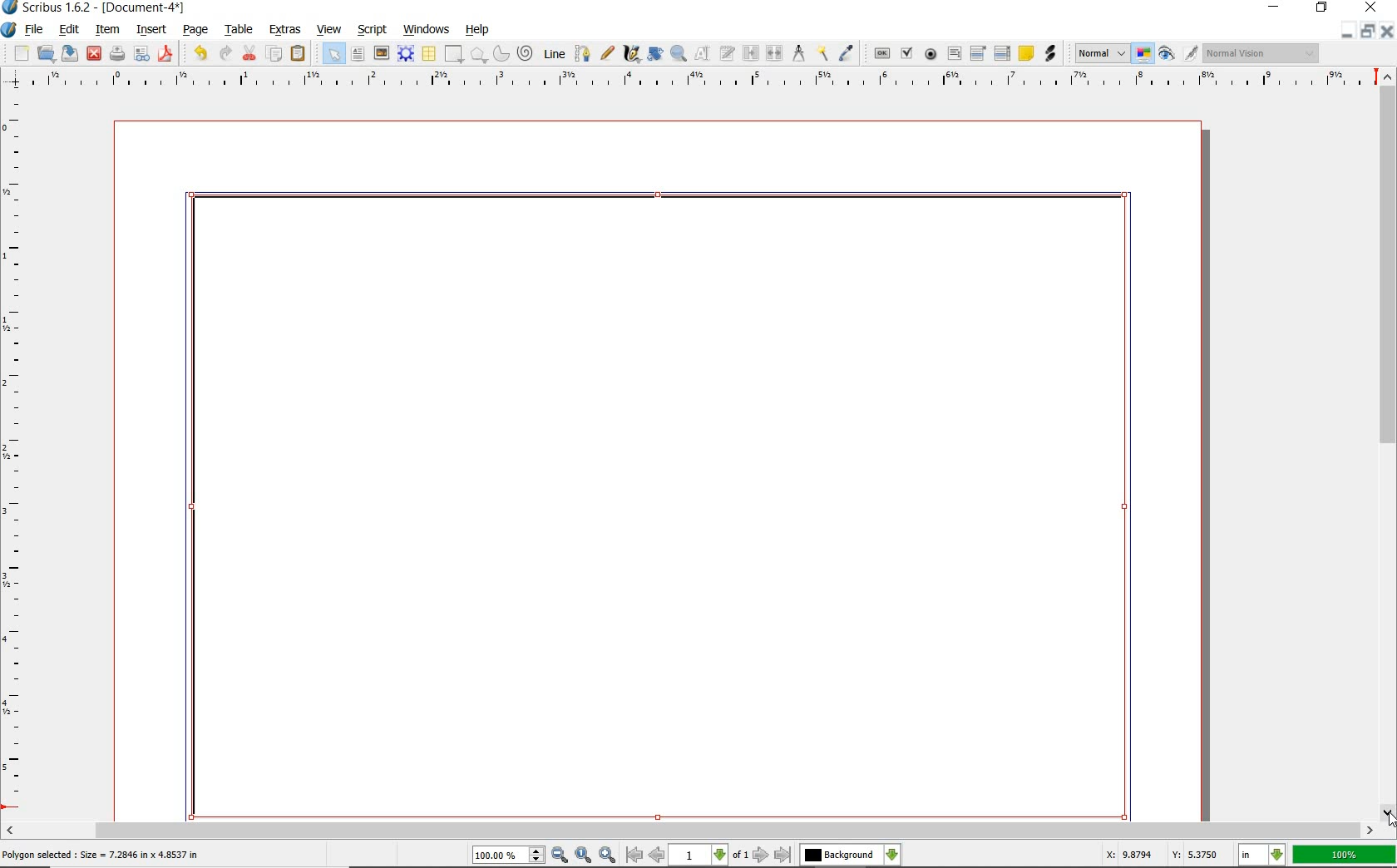 The width and height of the screenshot is (1397, 868). I want to click on pdf radio button, so click(929, 55).